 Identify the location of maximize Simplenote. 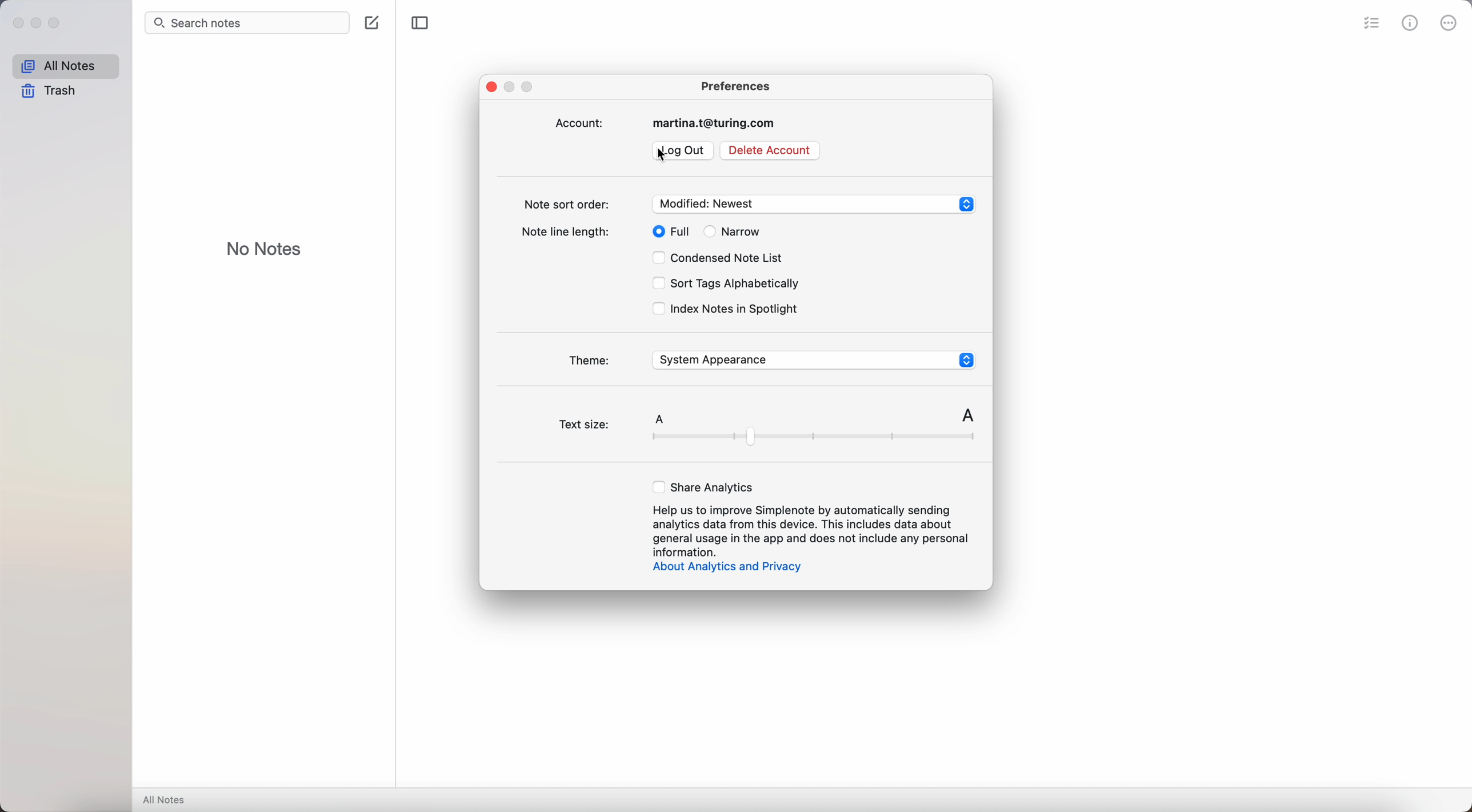
(58, 25).